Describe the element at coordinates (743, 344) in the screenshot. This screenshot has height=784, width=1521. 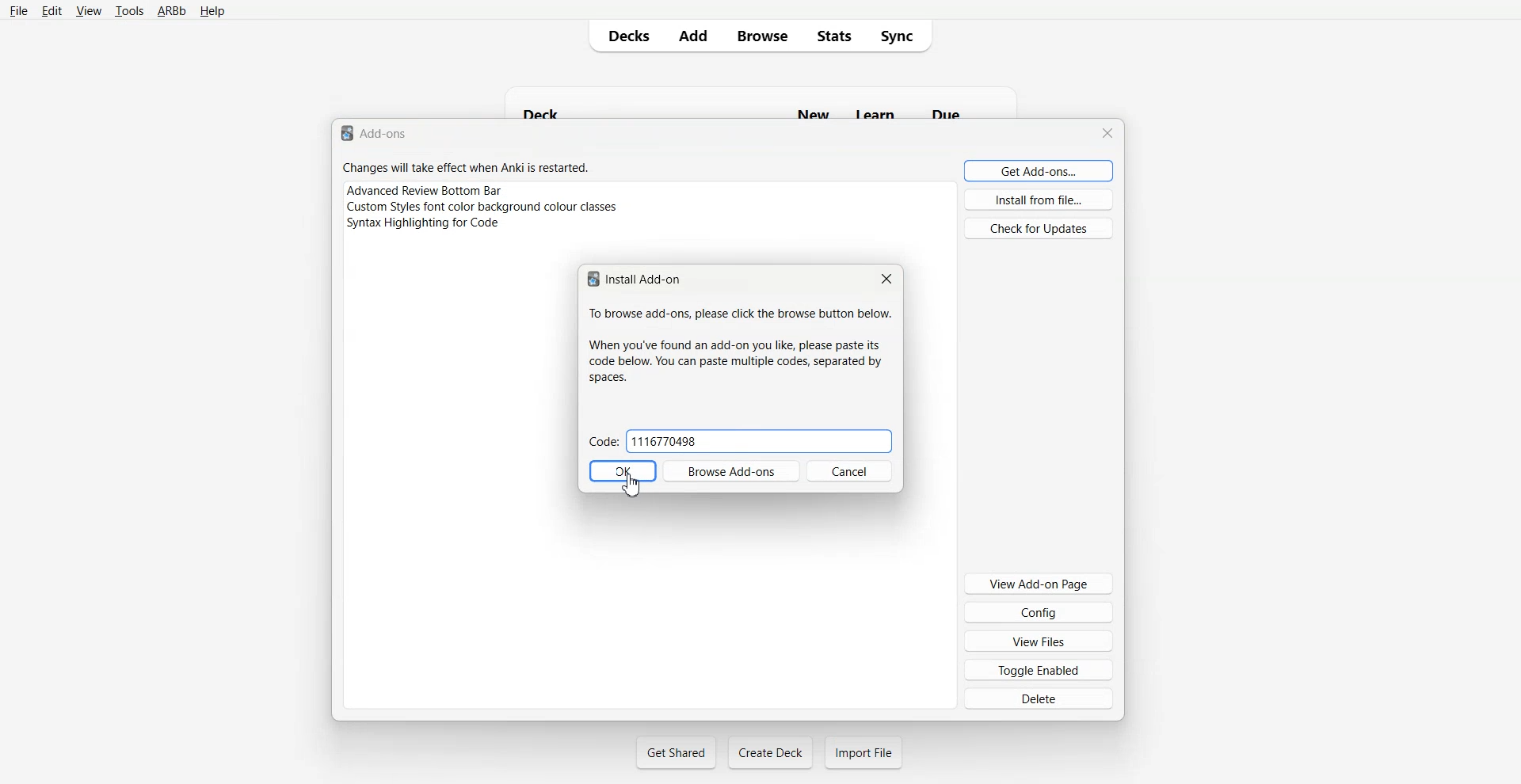
I see `To browse add-ons, please click the browse button below.
When you've found an add-on you like, please paste its
code below. You can paste multiple codes, separated by
spaces.` at that location.